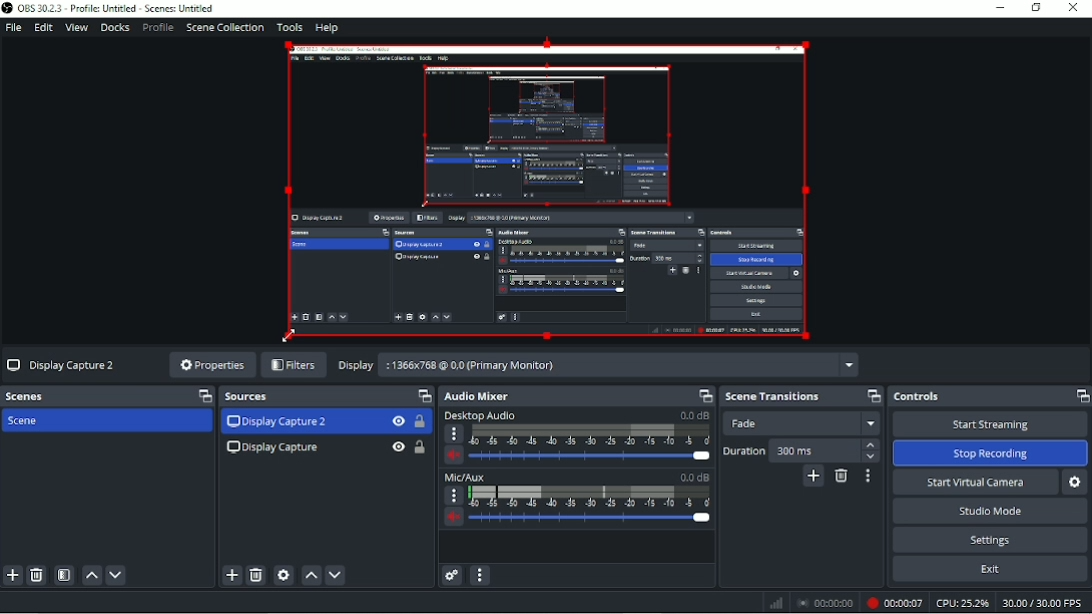 The height and width of the screenshot is (614, 1092). I want to click on Configure virtual camera, so click(1075, 484).